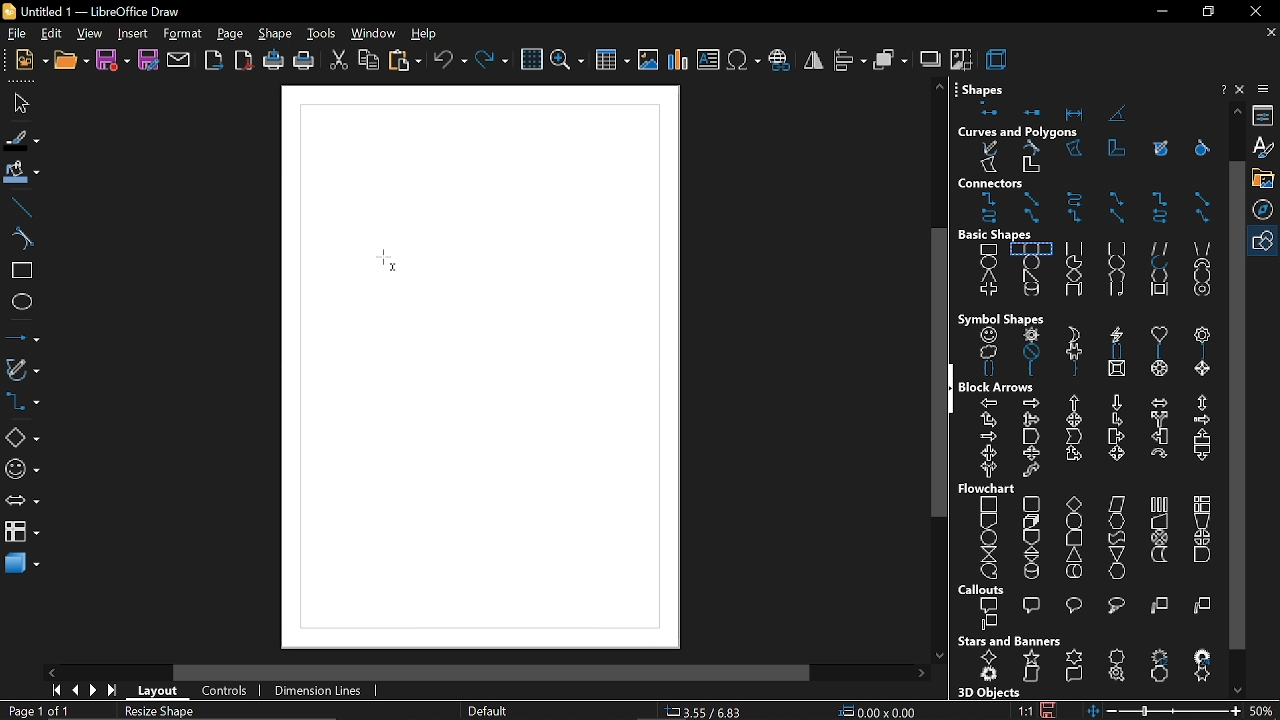 The width and height of the screenshot is (1280, 720). I want to click on sidebar settings, so click(1265, 89).